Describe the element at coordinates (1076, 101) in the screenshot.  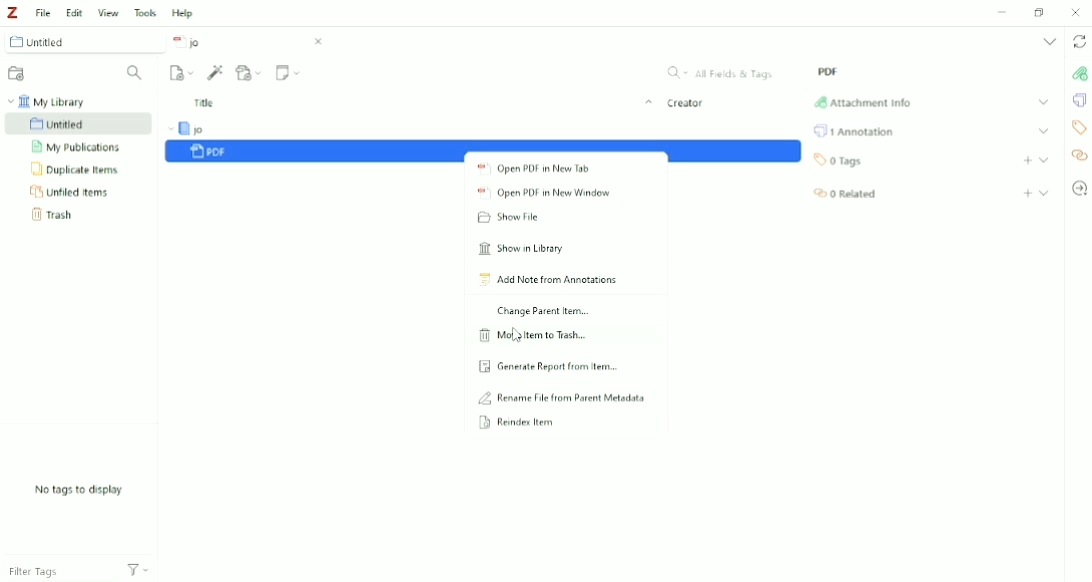
I see `Annotations` at that location.